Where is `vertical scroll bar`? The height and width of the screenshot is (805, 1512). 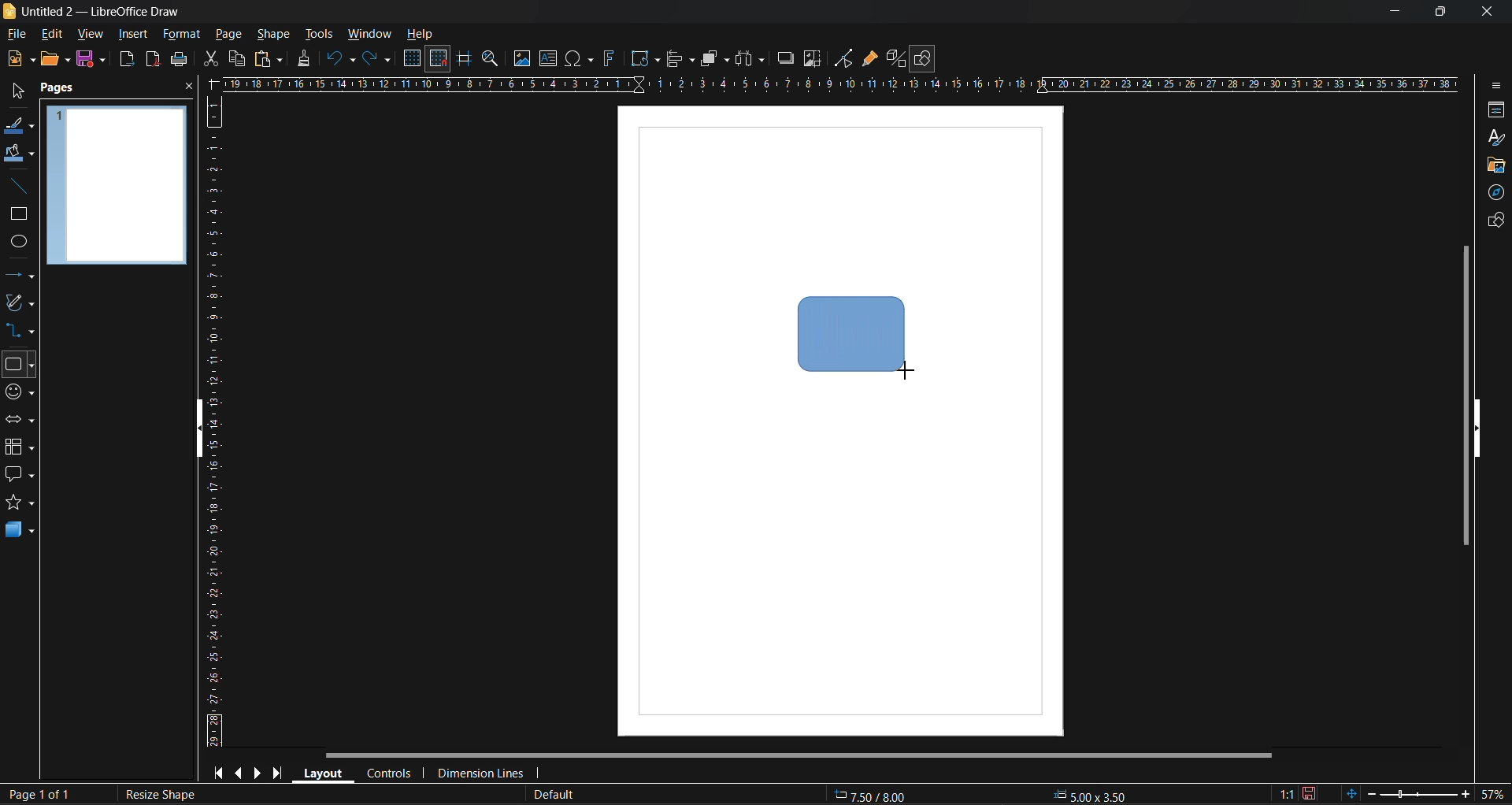
vertical scroll bar is located at coordinates (1462, 395).